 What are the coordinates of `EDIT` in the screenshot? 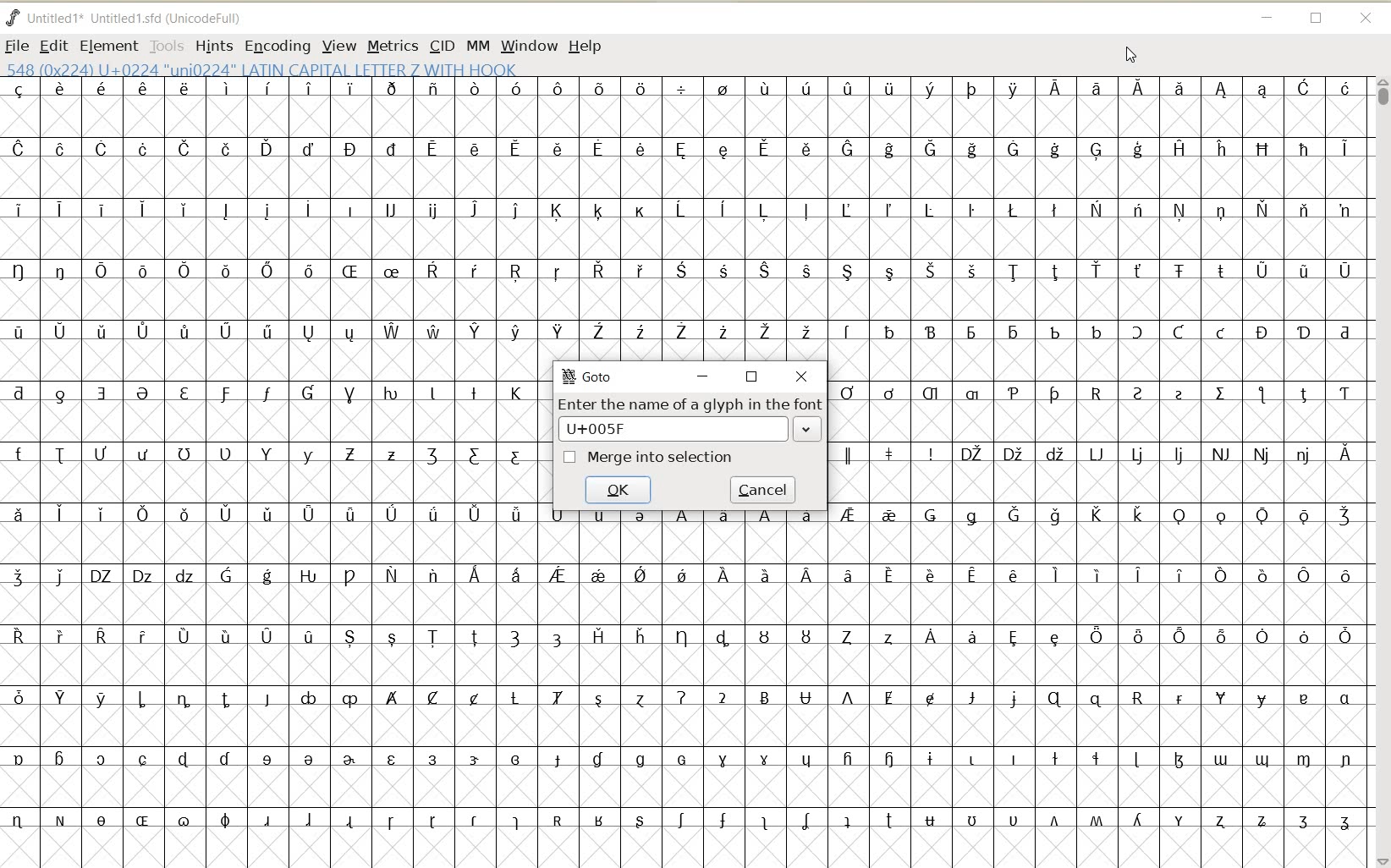 It's located at (52, 47).